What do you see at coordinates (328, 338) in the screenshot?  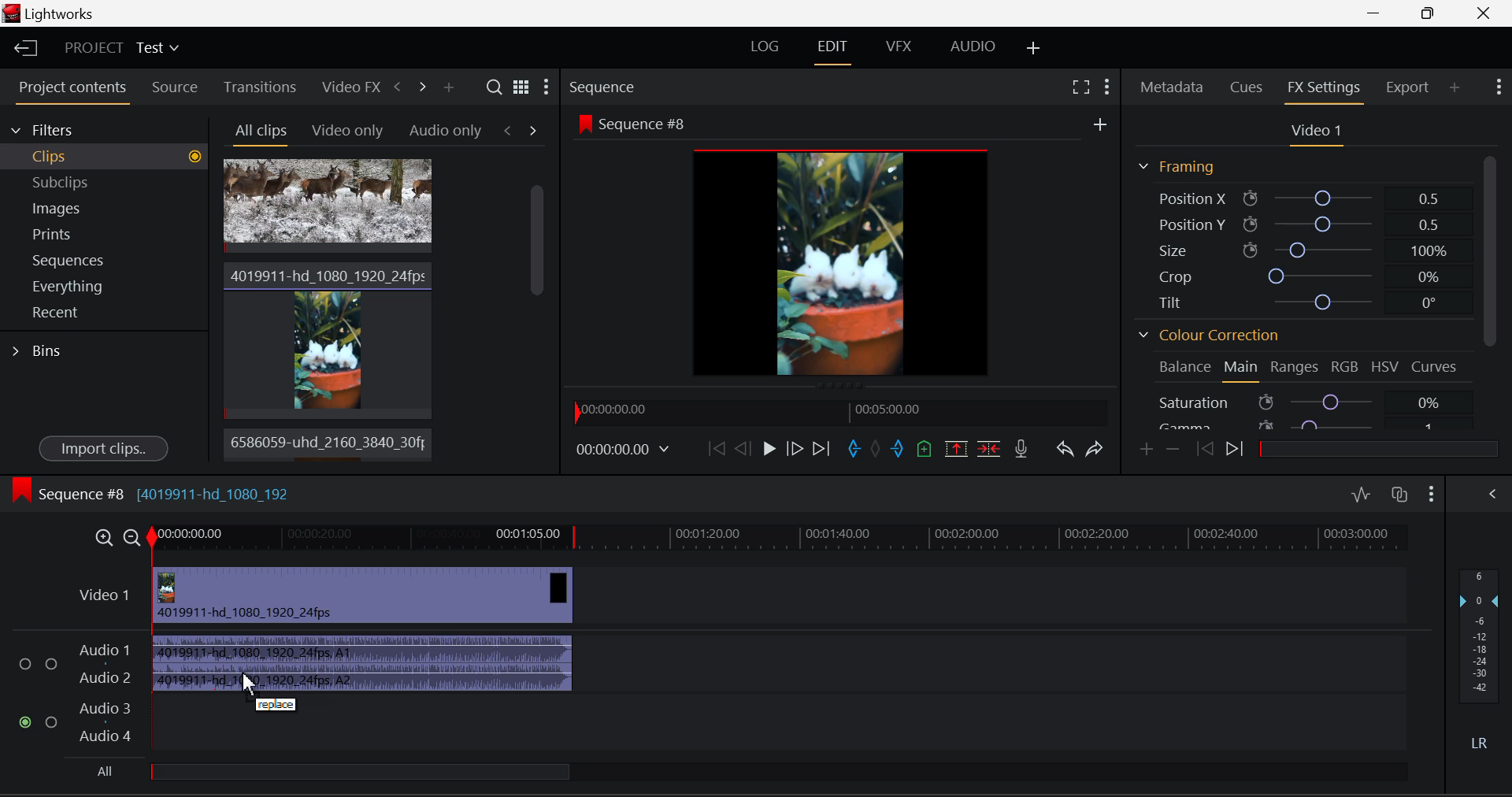 I see `File 2` at bounding box center [328, 338].